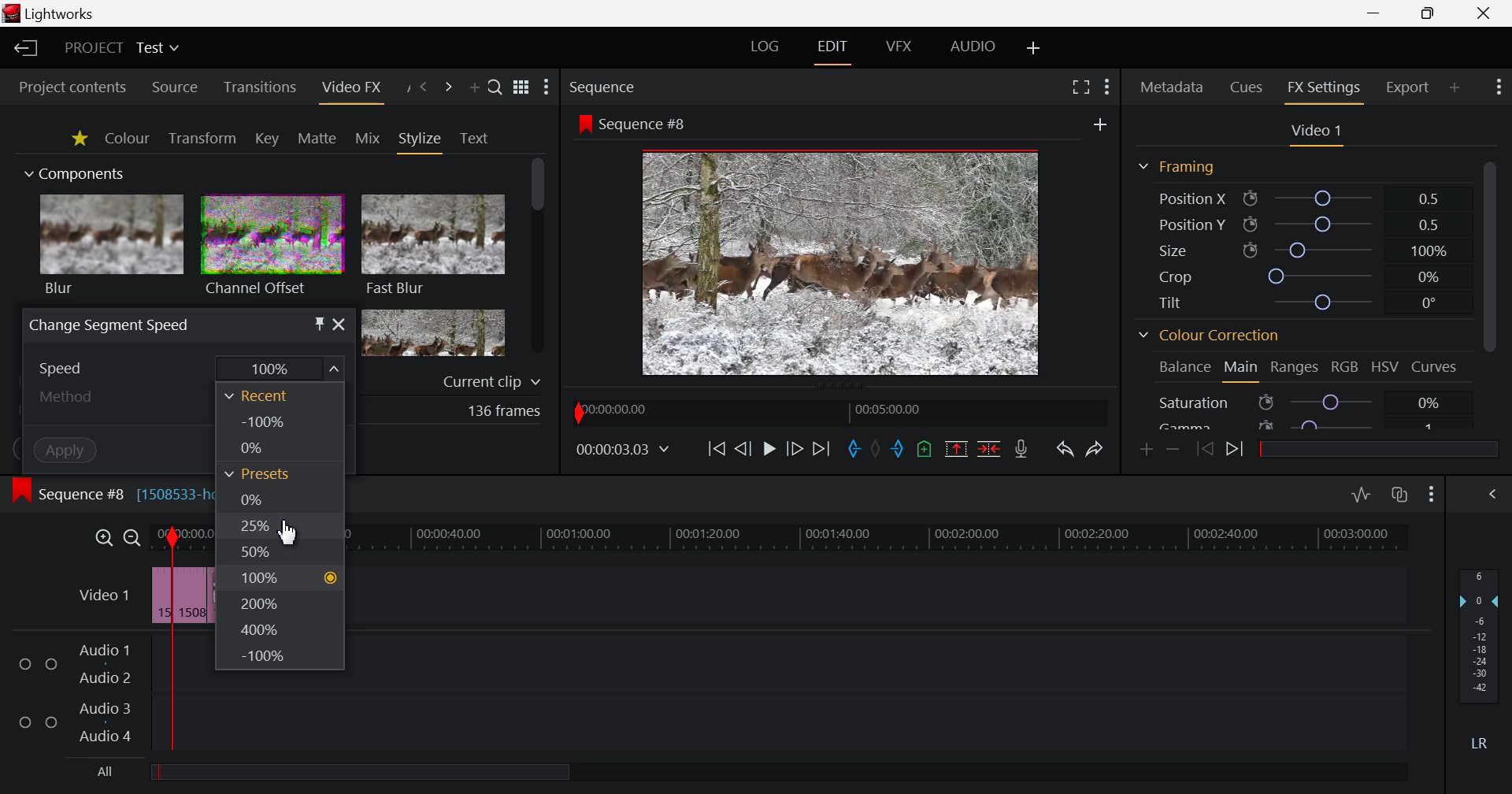 The height and width of the screenshot is (794, 1512). I want to click on Undo, so click(1065, 451).